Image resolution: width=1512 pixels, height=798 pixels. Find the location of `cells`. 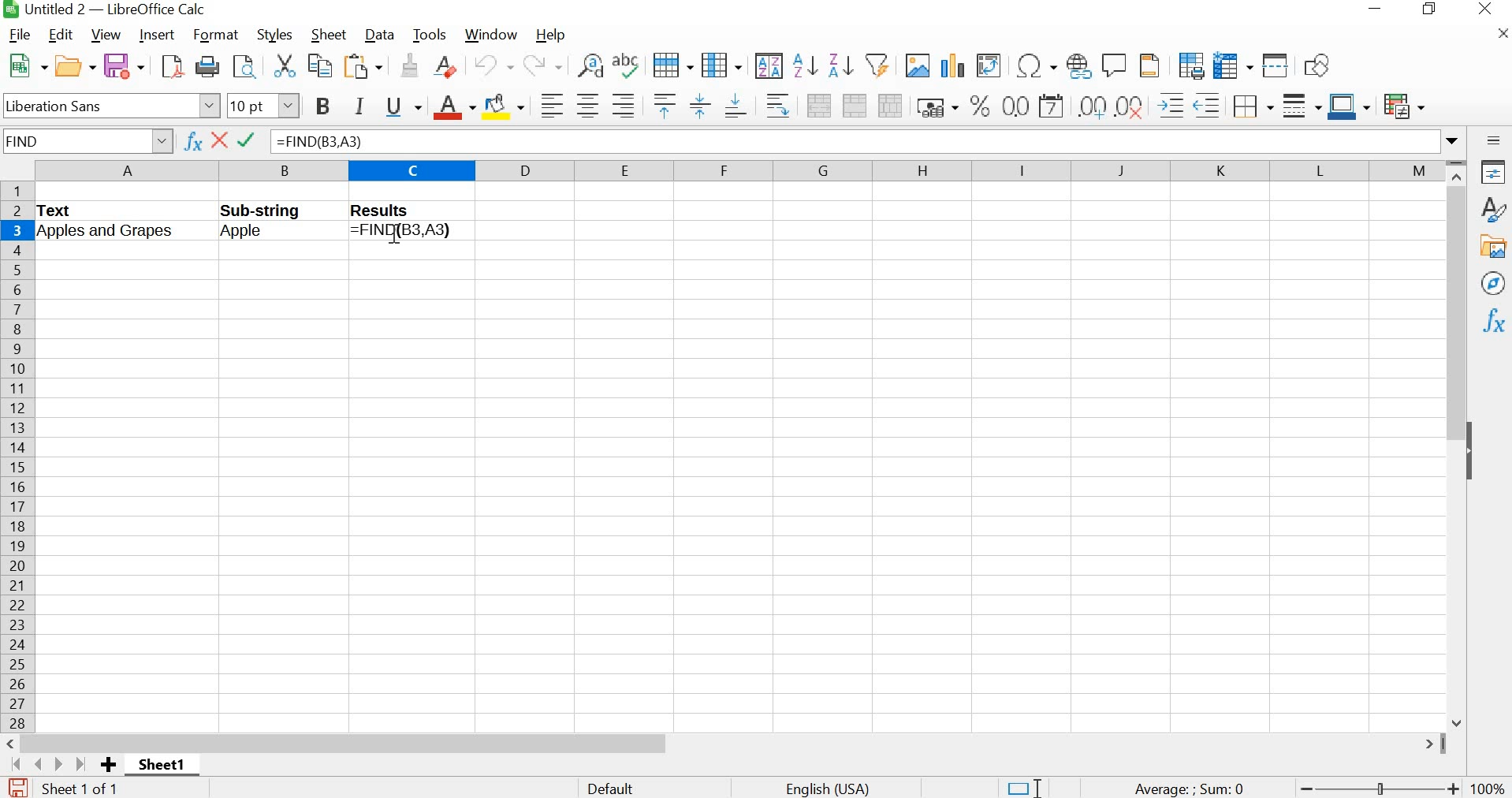

cells is located at coordinates (737, 491).